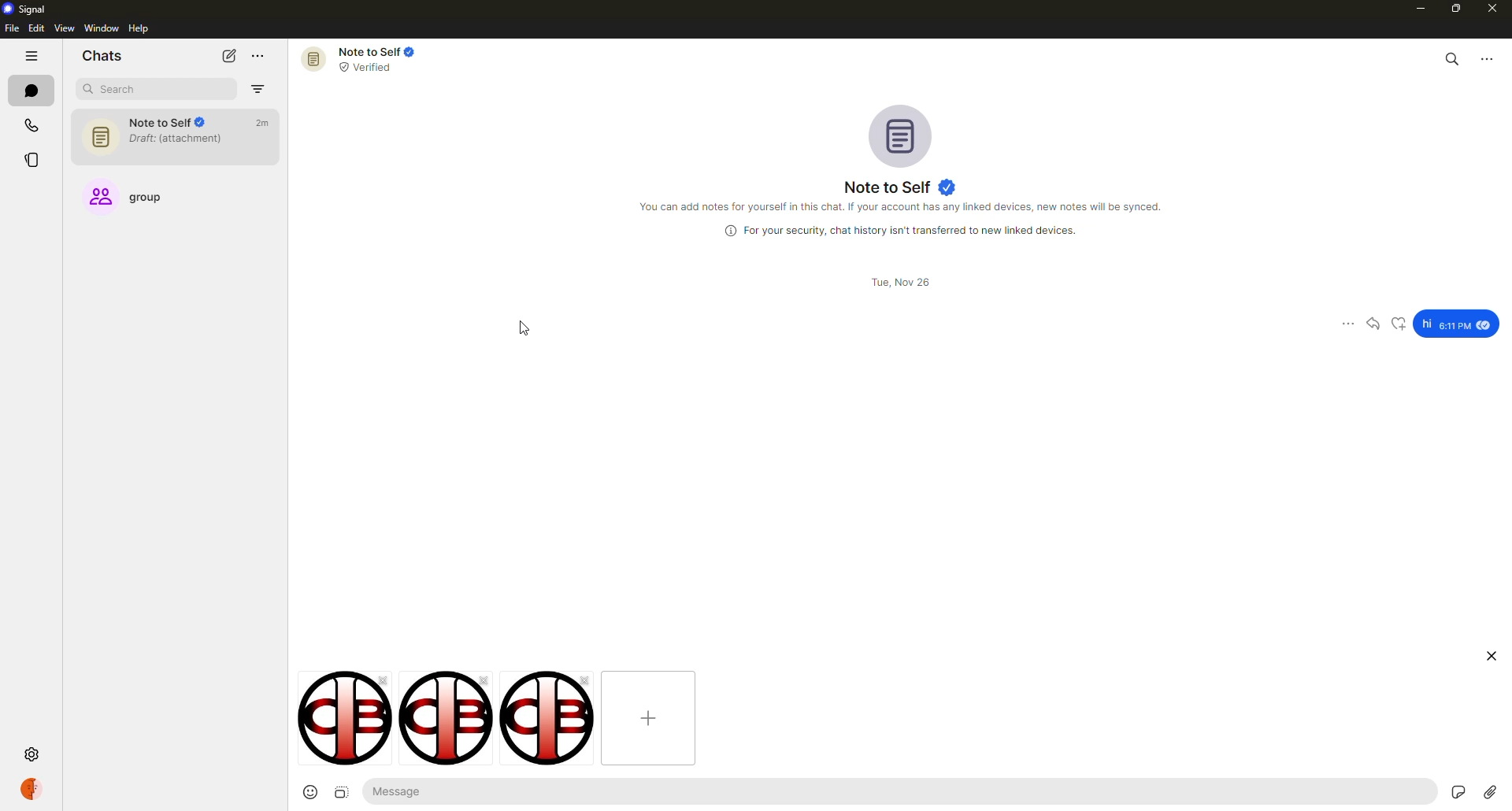 This screenshot has height=811, width=1512. What do you see at coordinates (139, 28) in the screenshot?
I see `help` at bounding box center [139, 28].